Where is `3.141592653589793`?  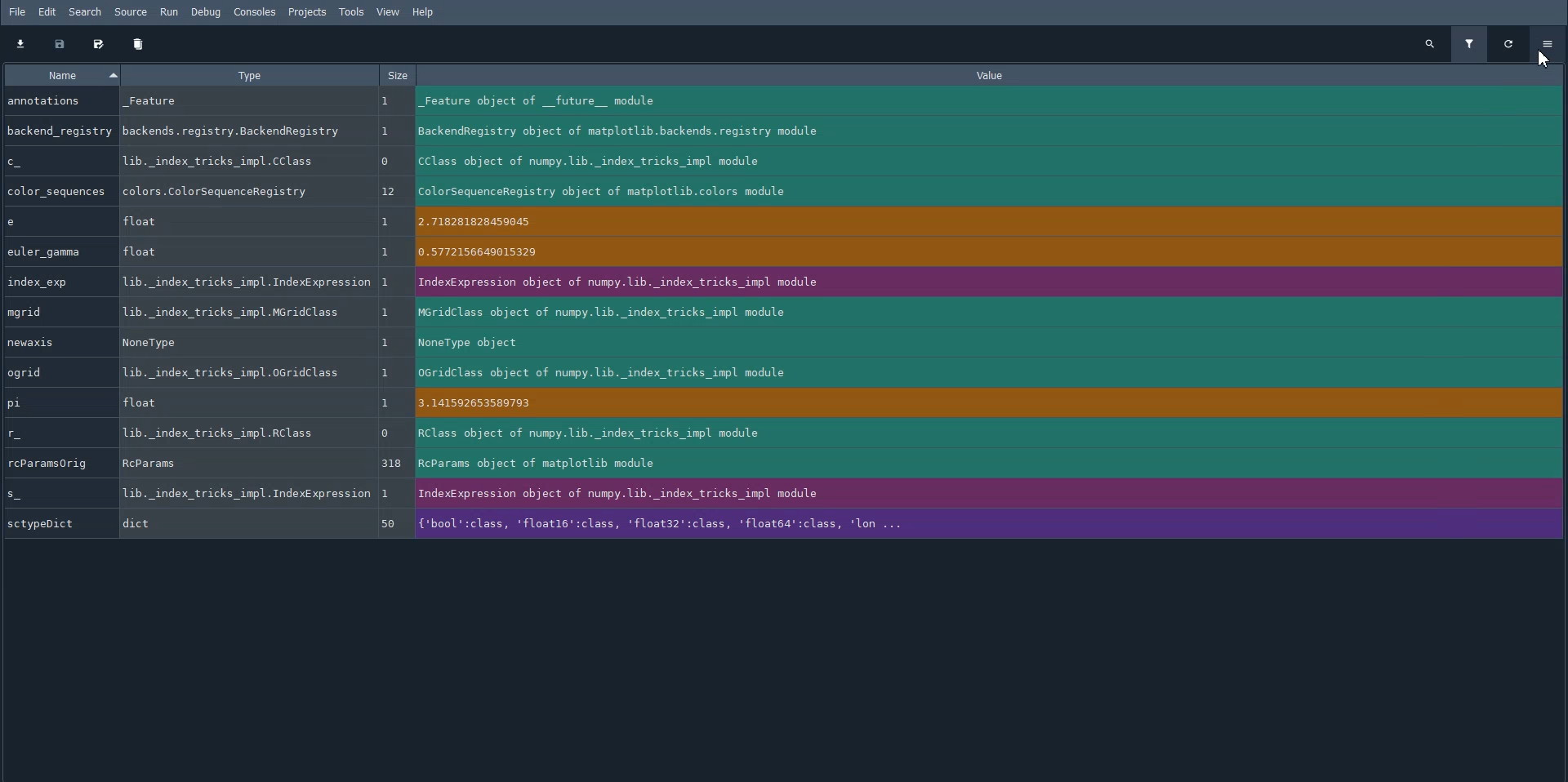 3.141592653589793 is located at coordinates (993, 406).